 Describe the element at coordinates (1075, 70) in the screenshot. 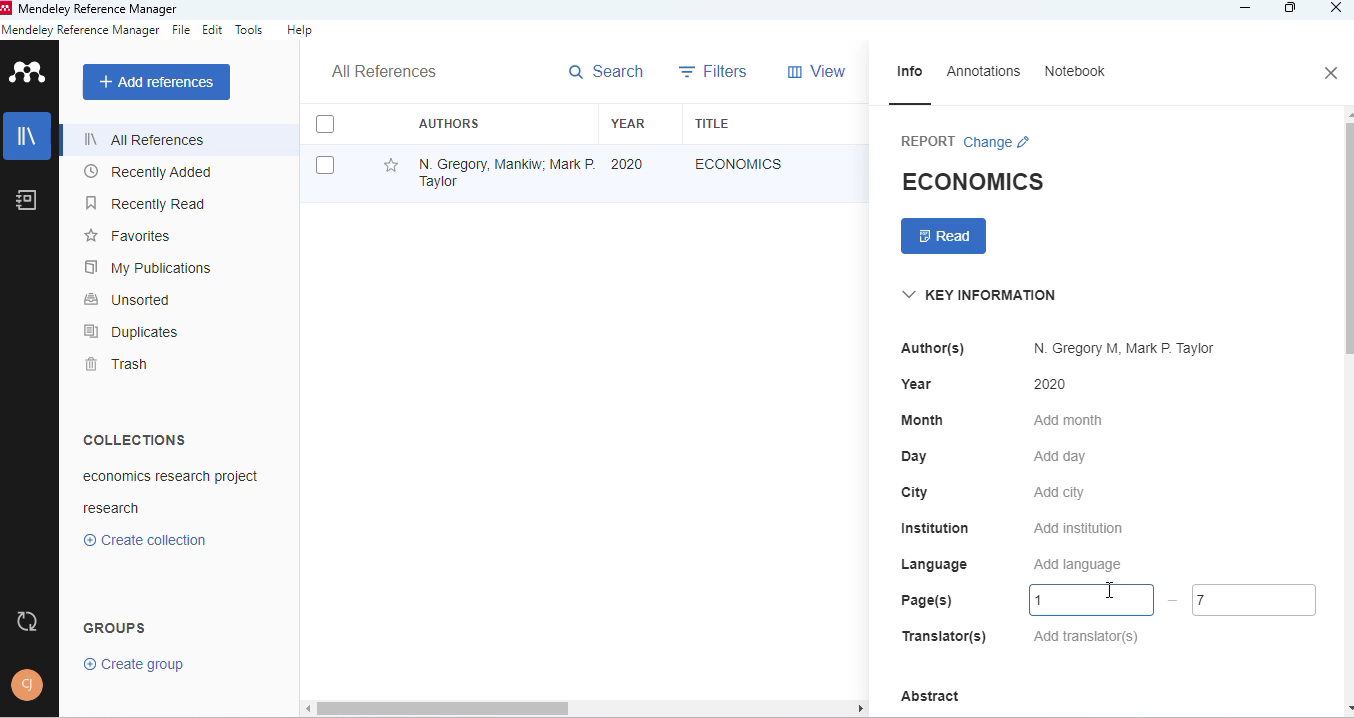

I see `notebook` at that location.